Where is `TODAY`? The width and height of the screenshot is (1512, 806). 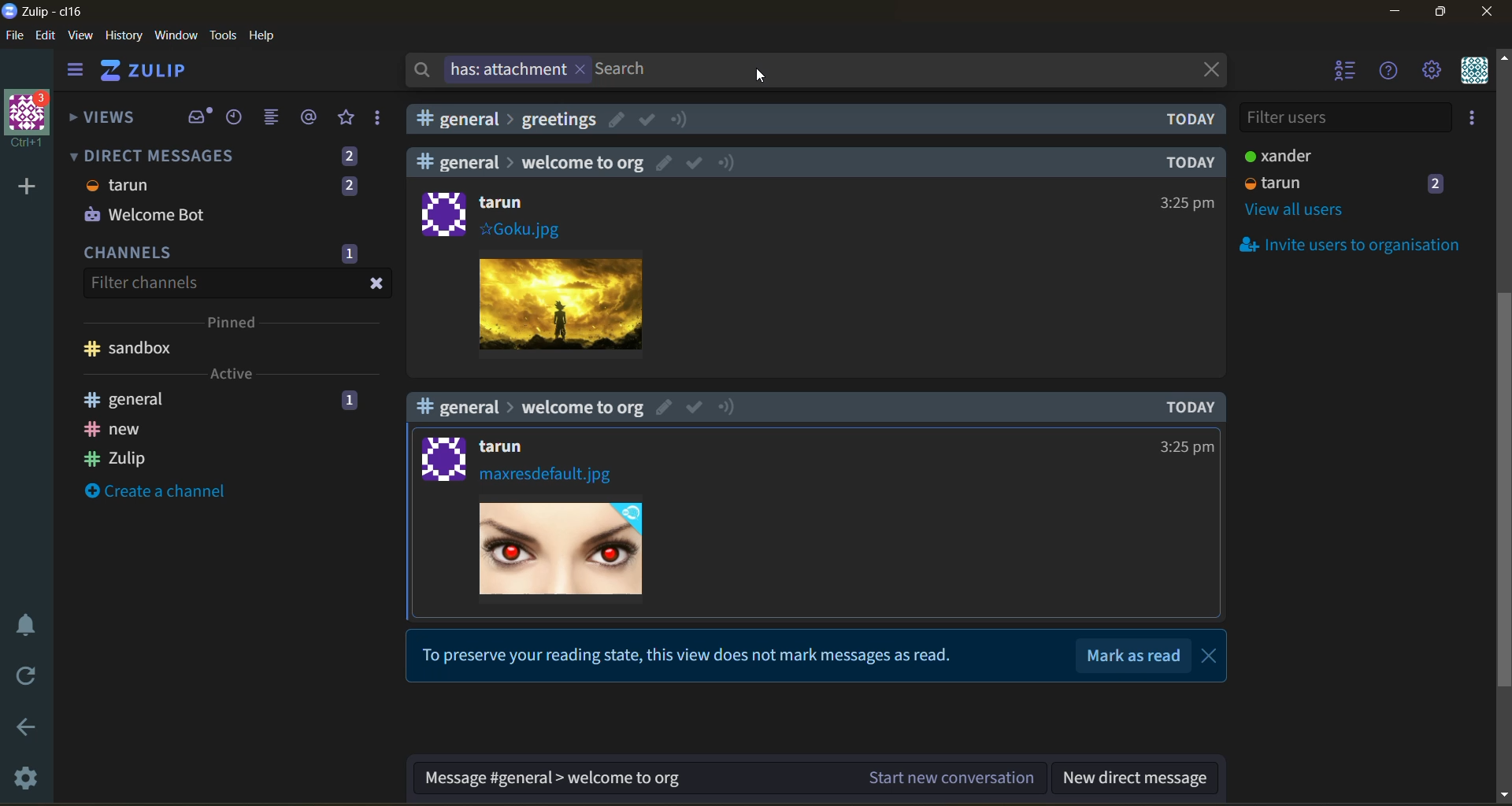
TODAY is located at coordinates (1192, 120).